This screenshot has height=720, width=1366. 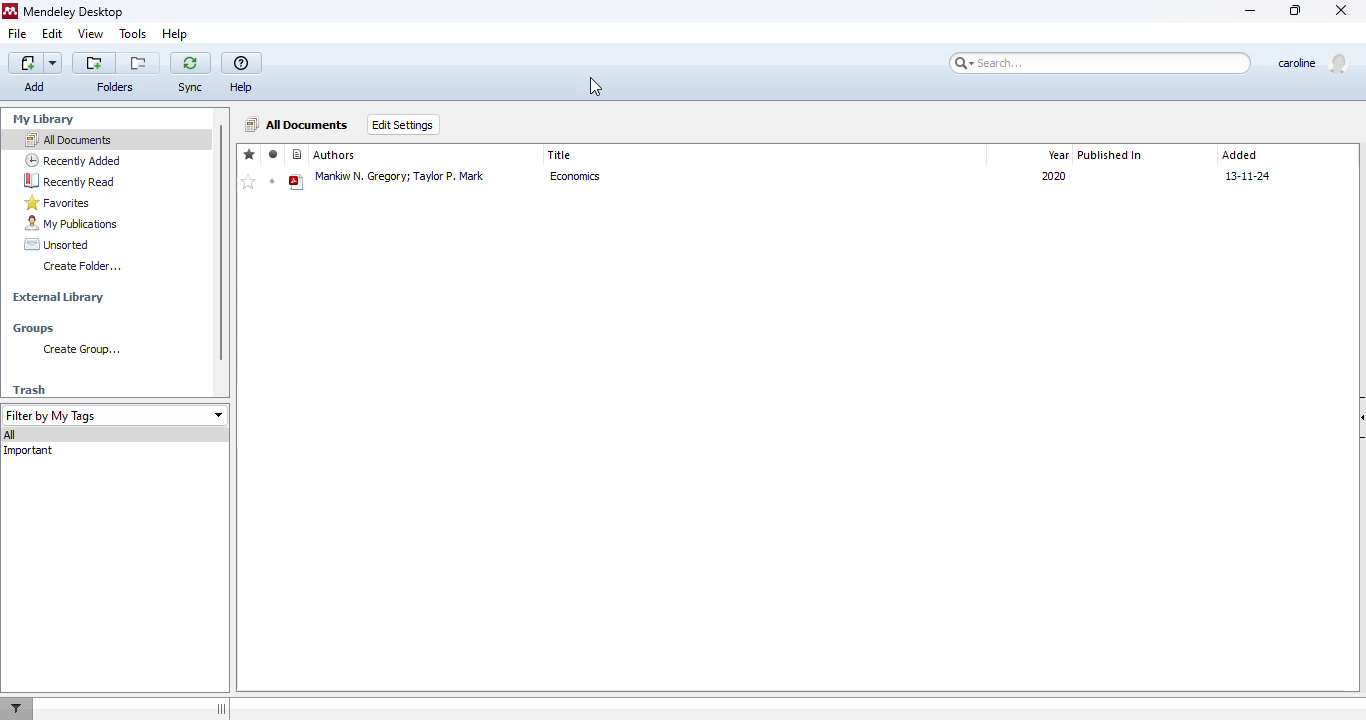 I want to click on search, so click(x=1096, y=63).